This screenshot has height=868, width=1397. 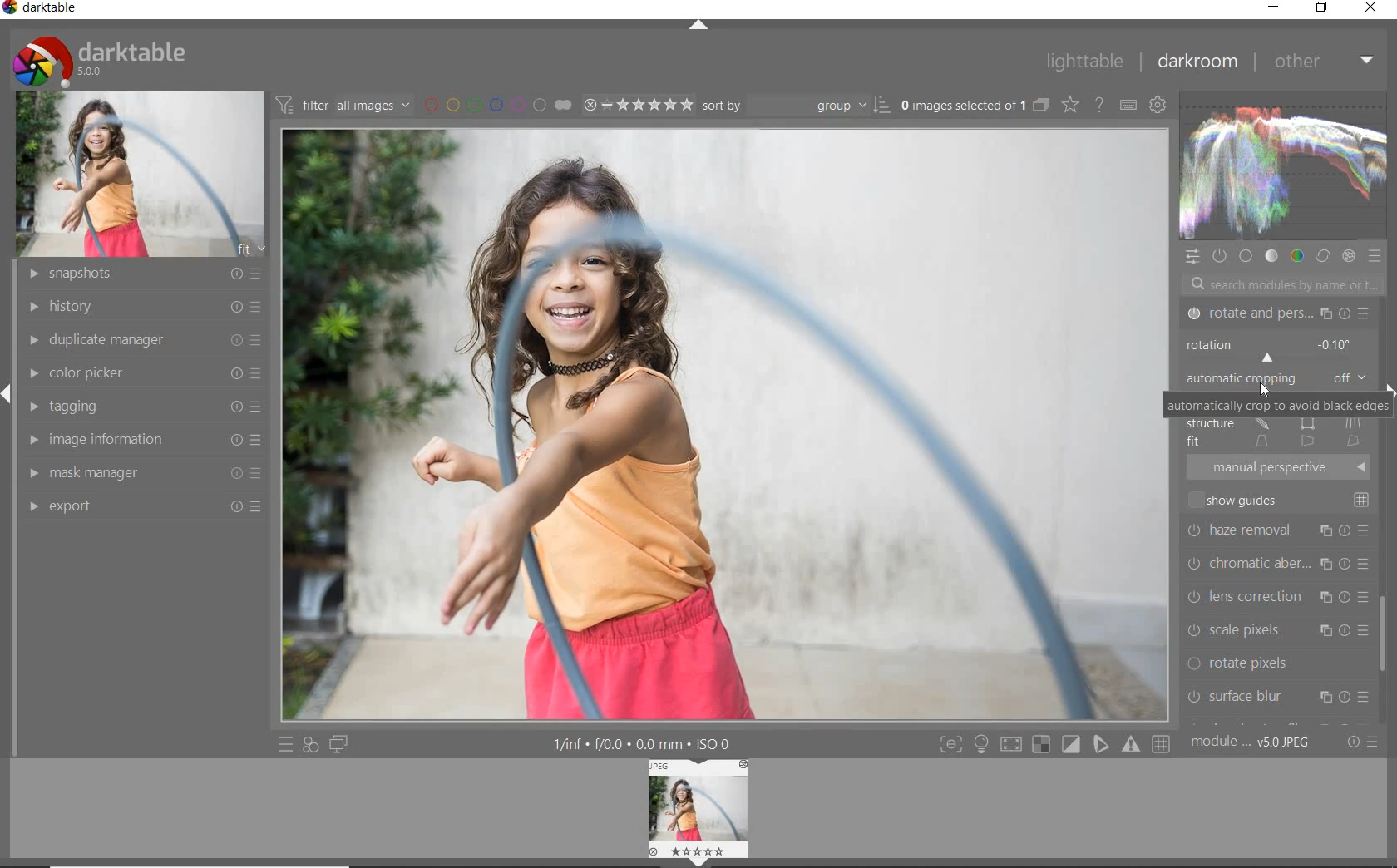 What do you see at coordinates (1276, 664) in the screenshot?
I see `rotate pixels` at bounding box center [1276, 664].